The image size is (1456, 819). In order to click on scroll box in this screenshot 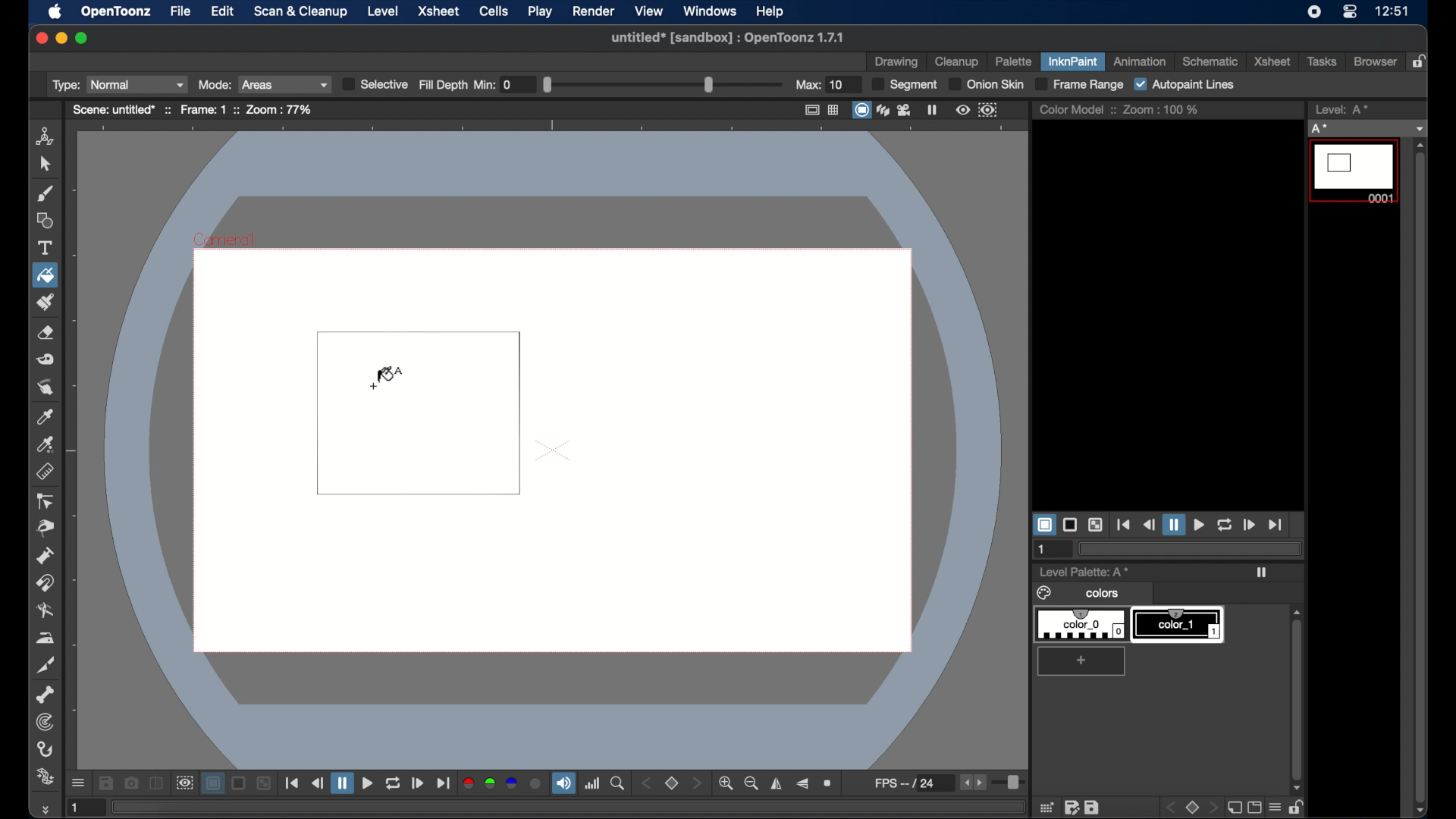, I will do `click(1420, 477)`.